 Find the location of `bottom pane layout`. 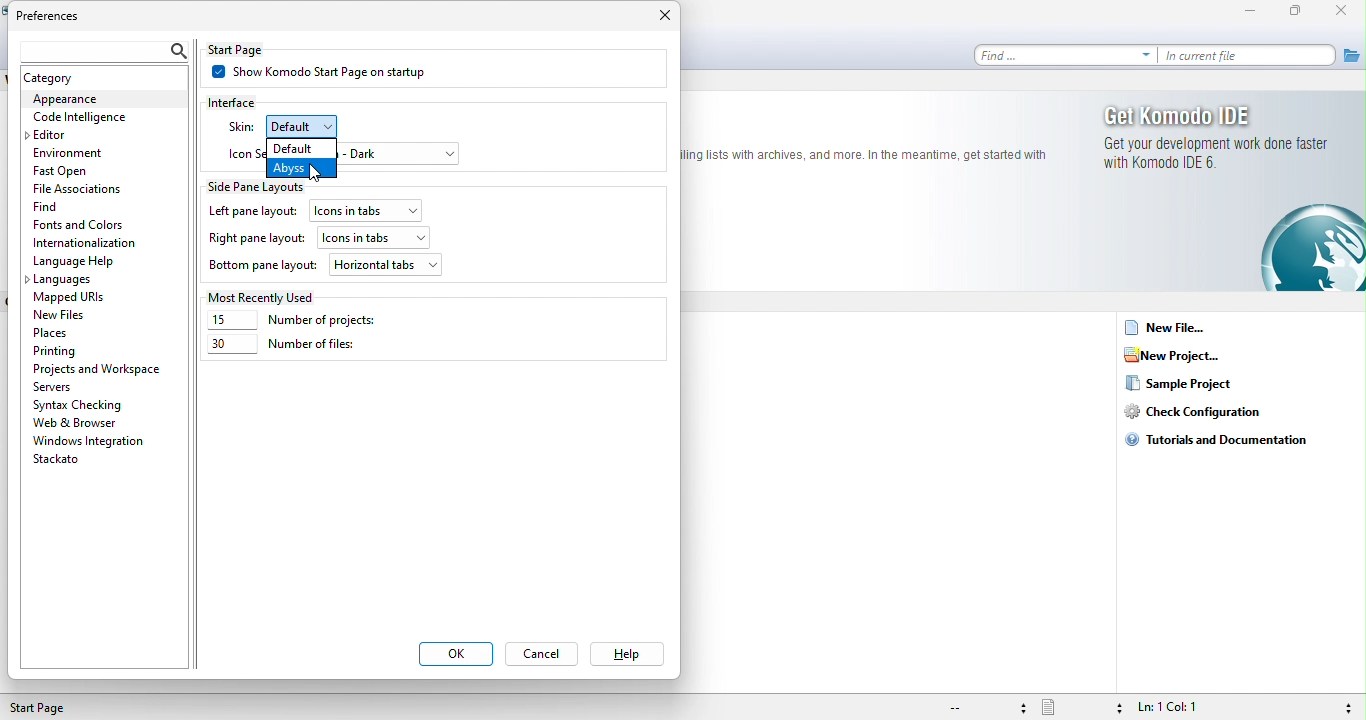

bottom pane layout is located at coordinates (263, 267).